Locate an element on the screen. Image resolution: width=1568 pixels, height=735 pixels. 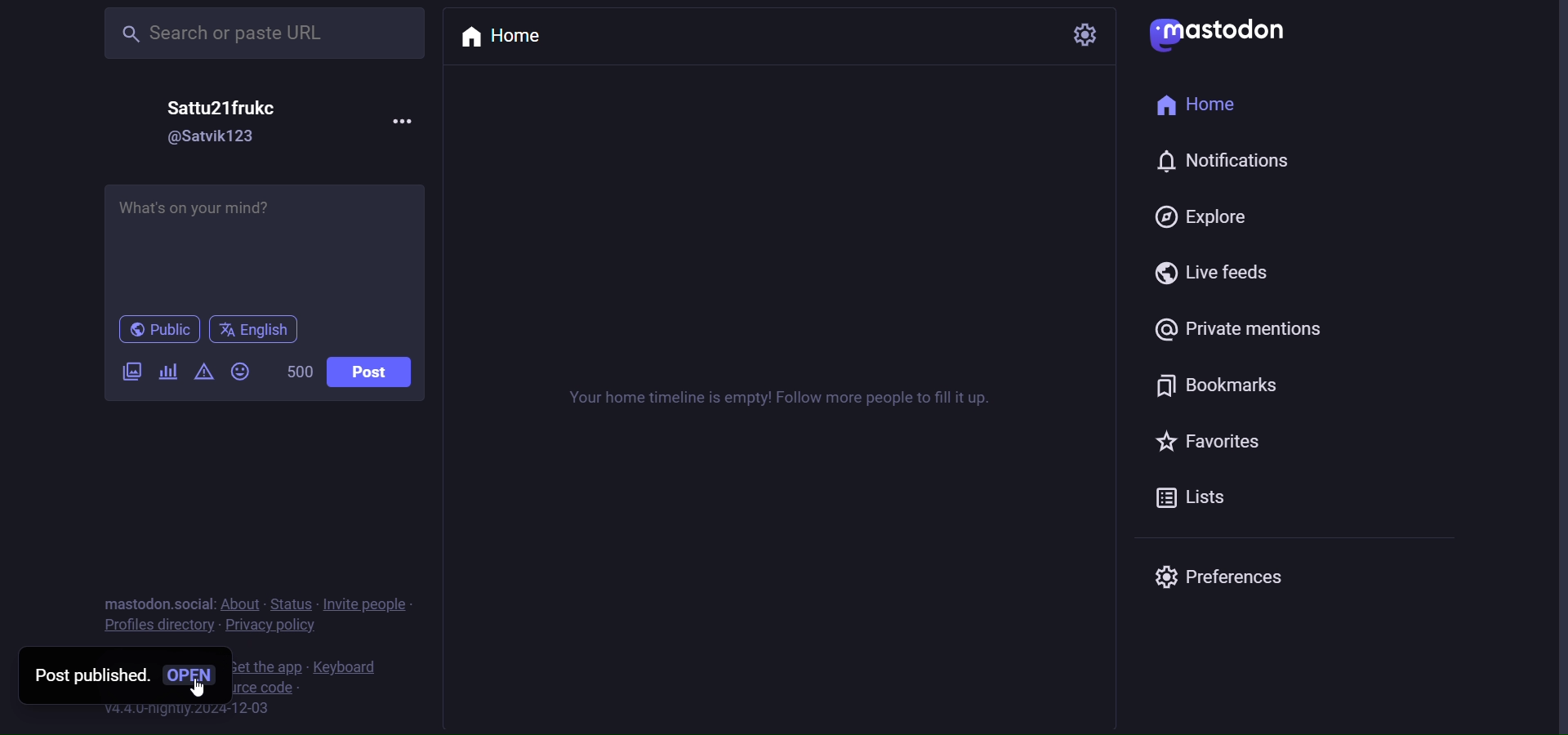
home is located at coordinates (1201, 105).